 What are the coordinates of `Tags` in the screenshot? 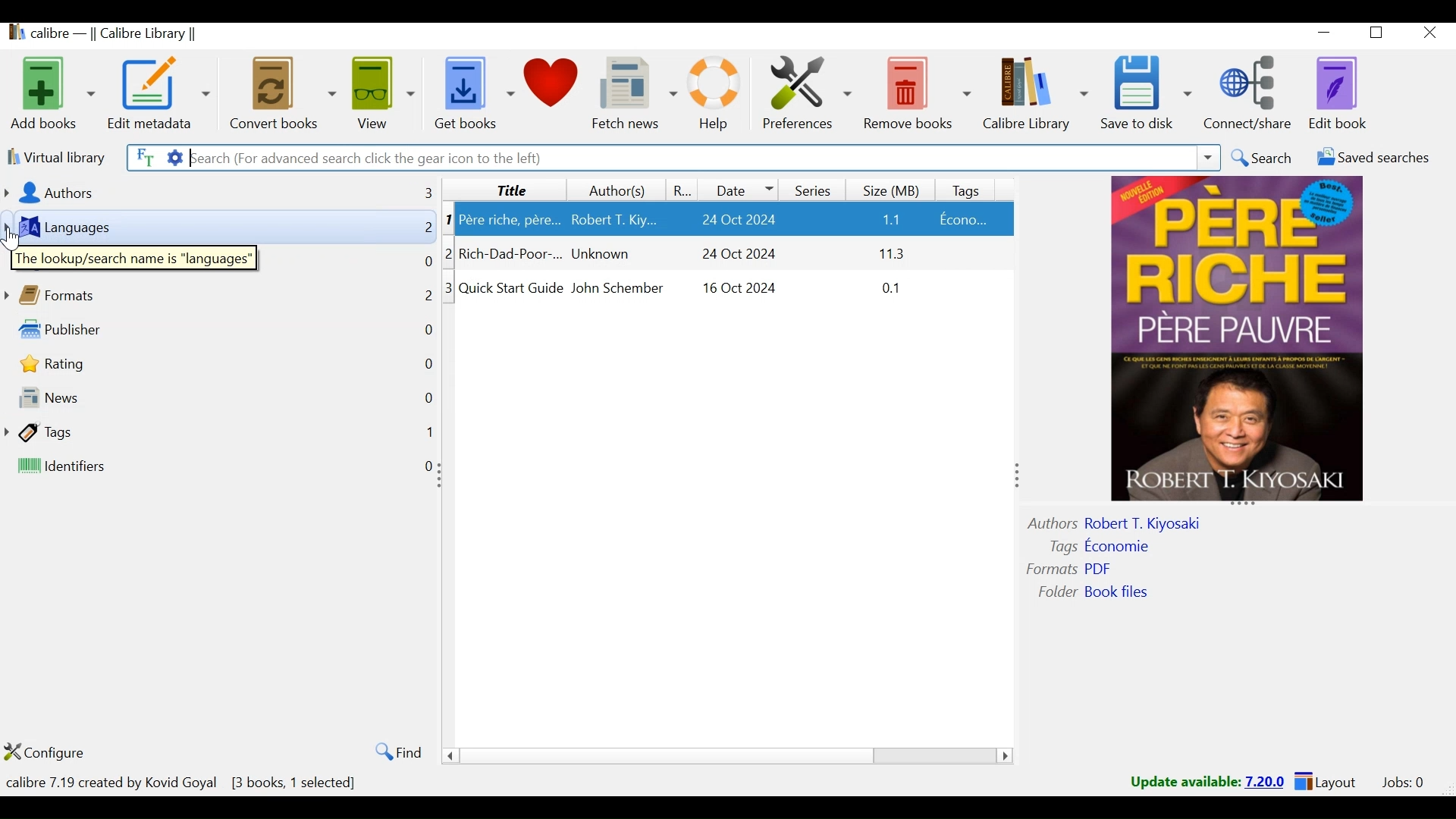 It's located at (970, 188).